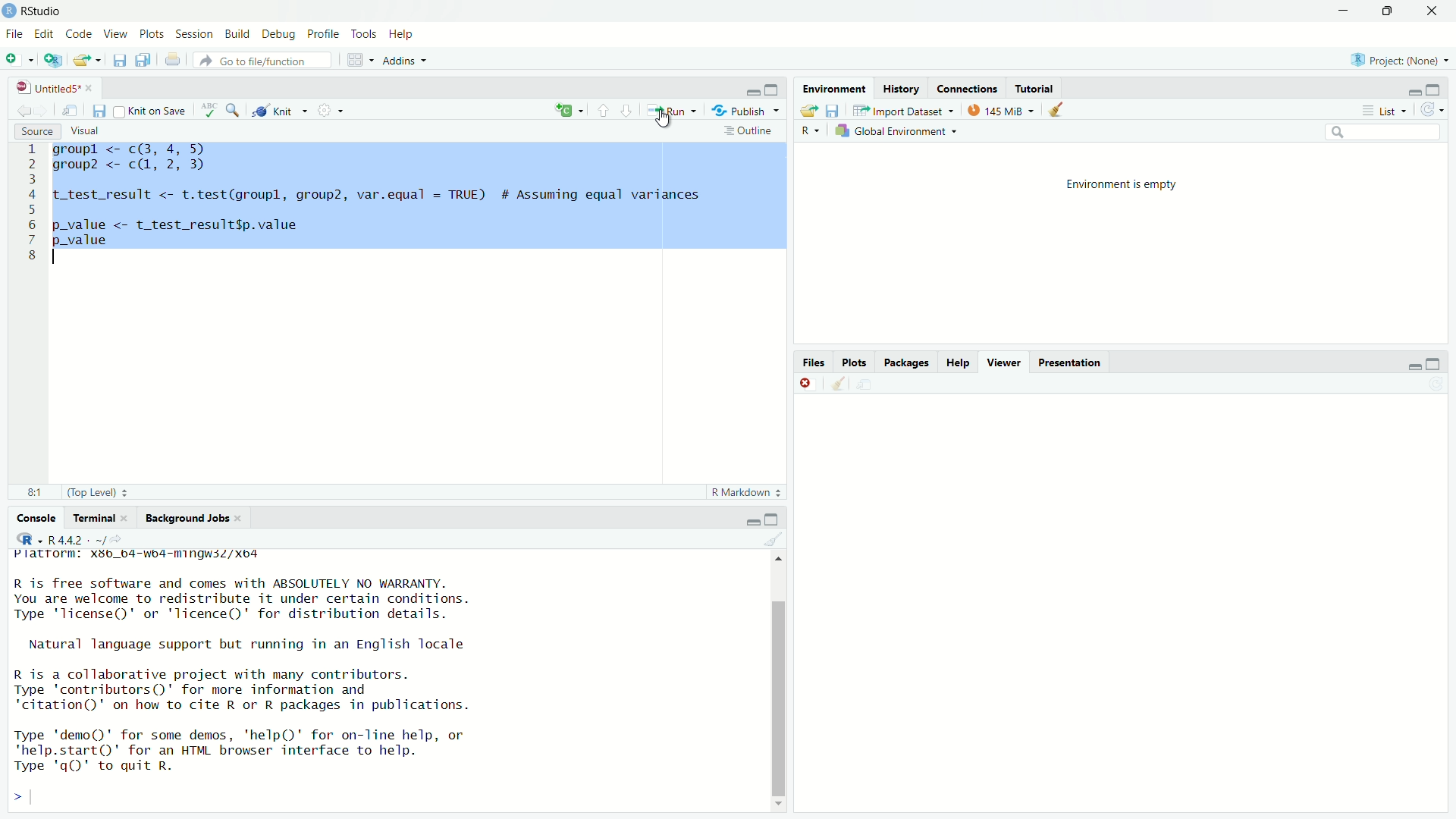 The image size is (1456, 819). I want to click on cursor, so click(665, 122).